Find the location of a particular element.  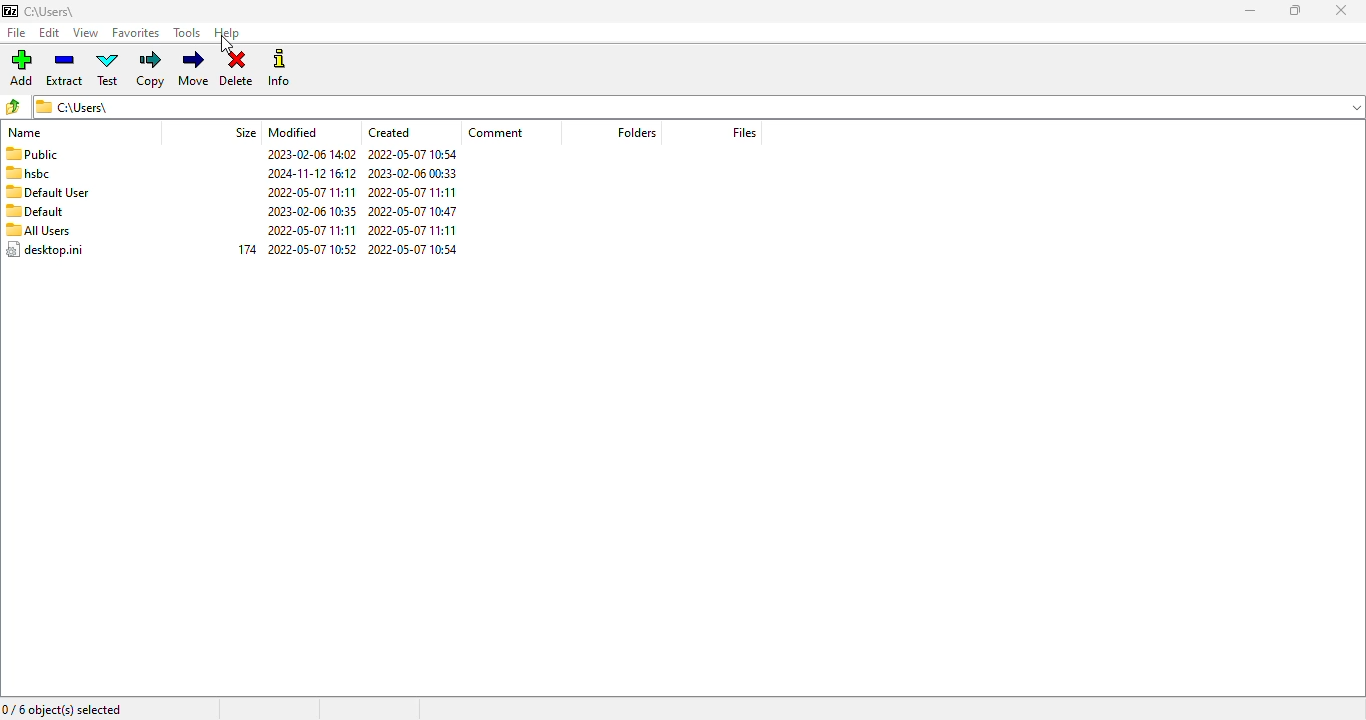

favorites is located at coordinates (136, 33).